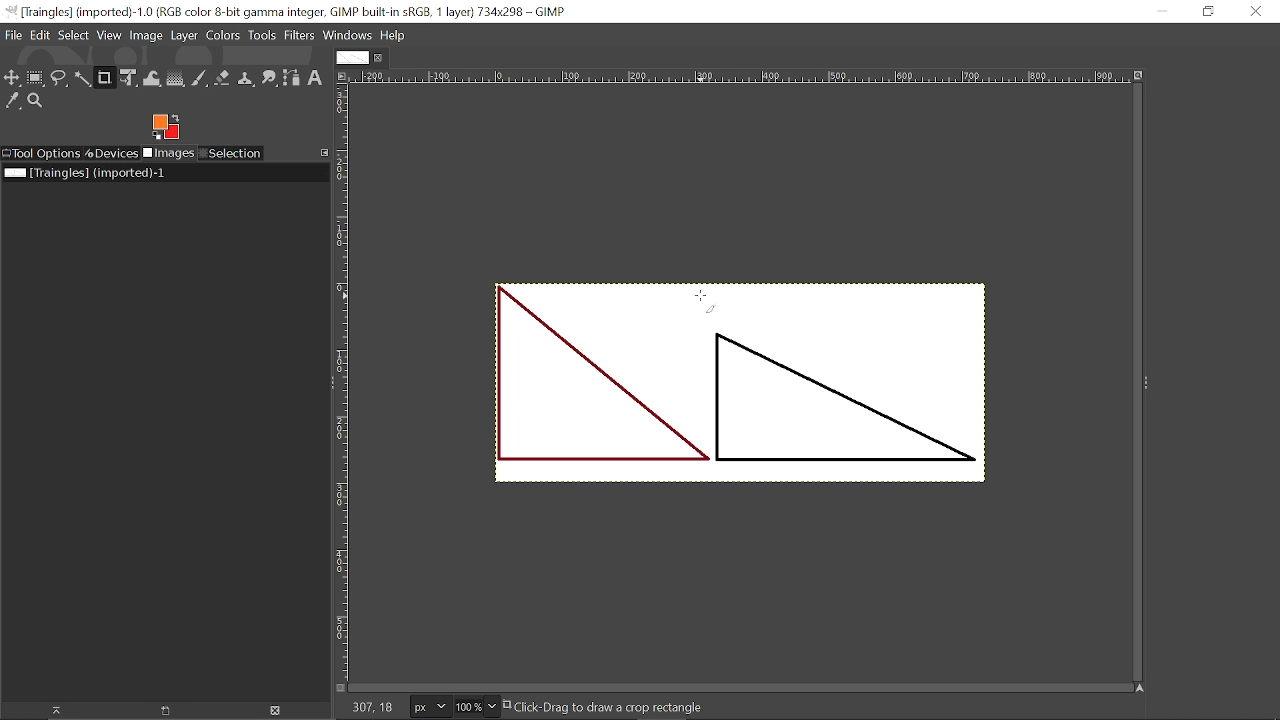 The image size is (1280, 720). I want to click on layer, so click(184, 37).